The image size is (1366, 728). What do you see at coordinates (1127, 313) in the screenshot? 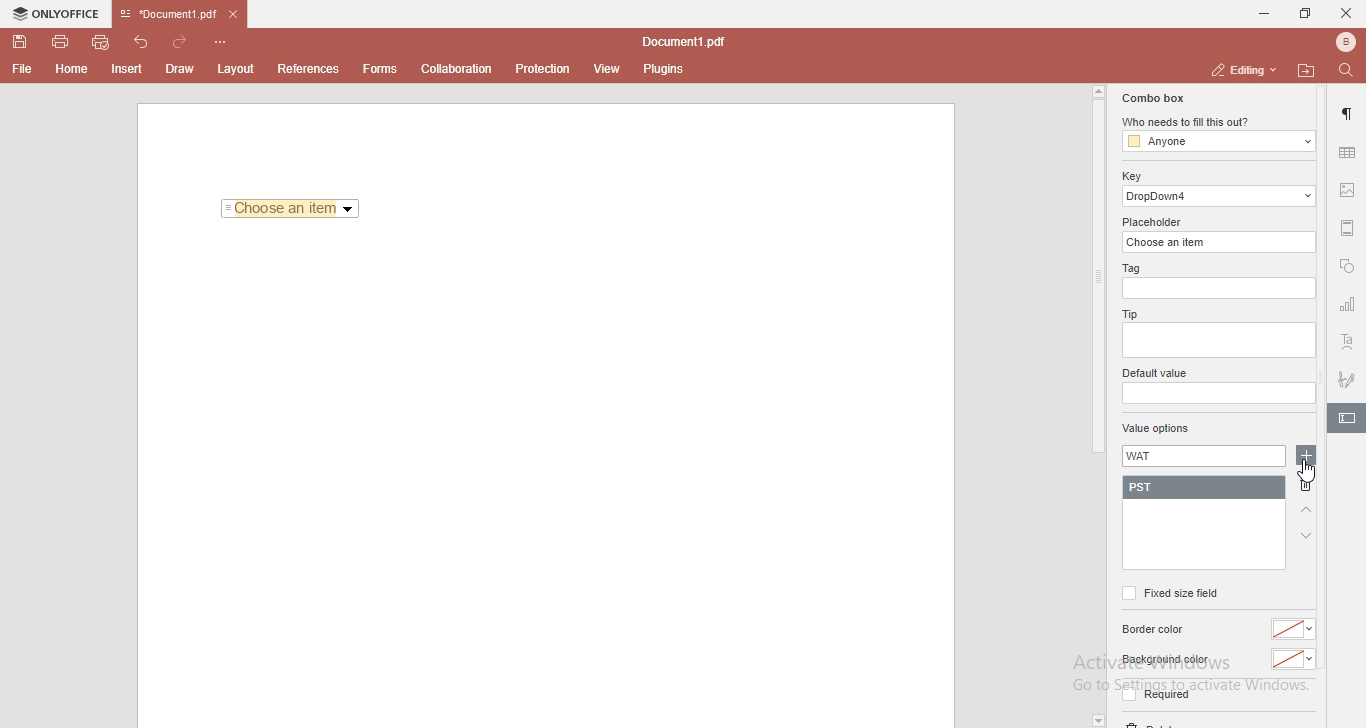
I see `tip` at bounding box center [1127, 313].